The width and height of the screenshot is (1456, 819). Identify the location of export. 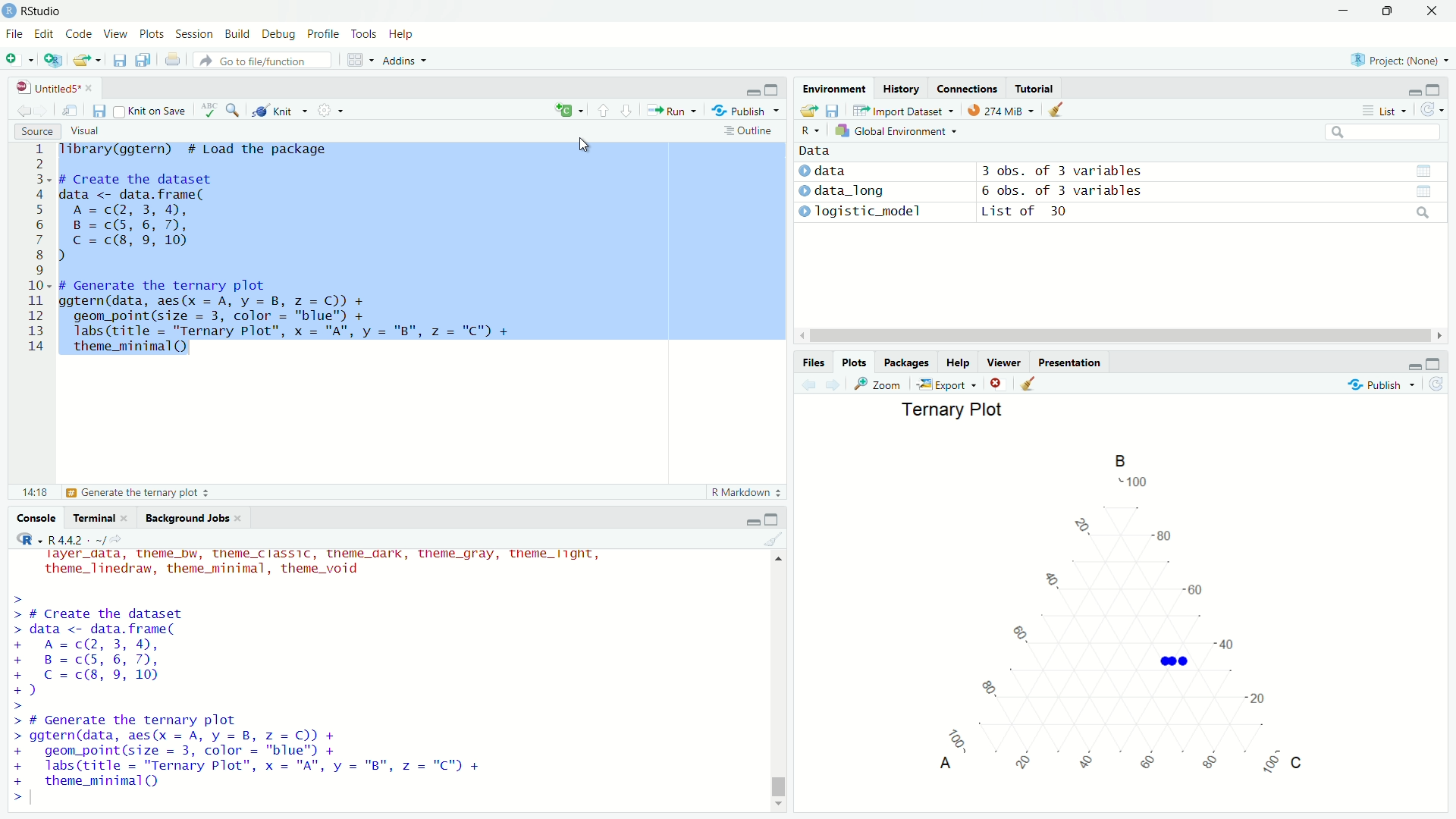
(89, 61).